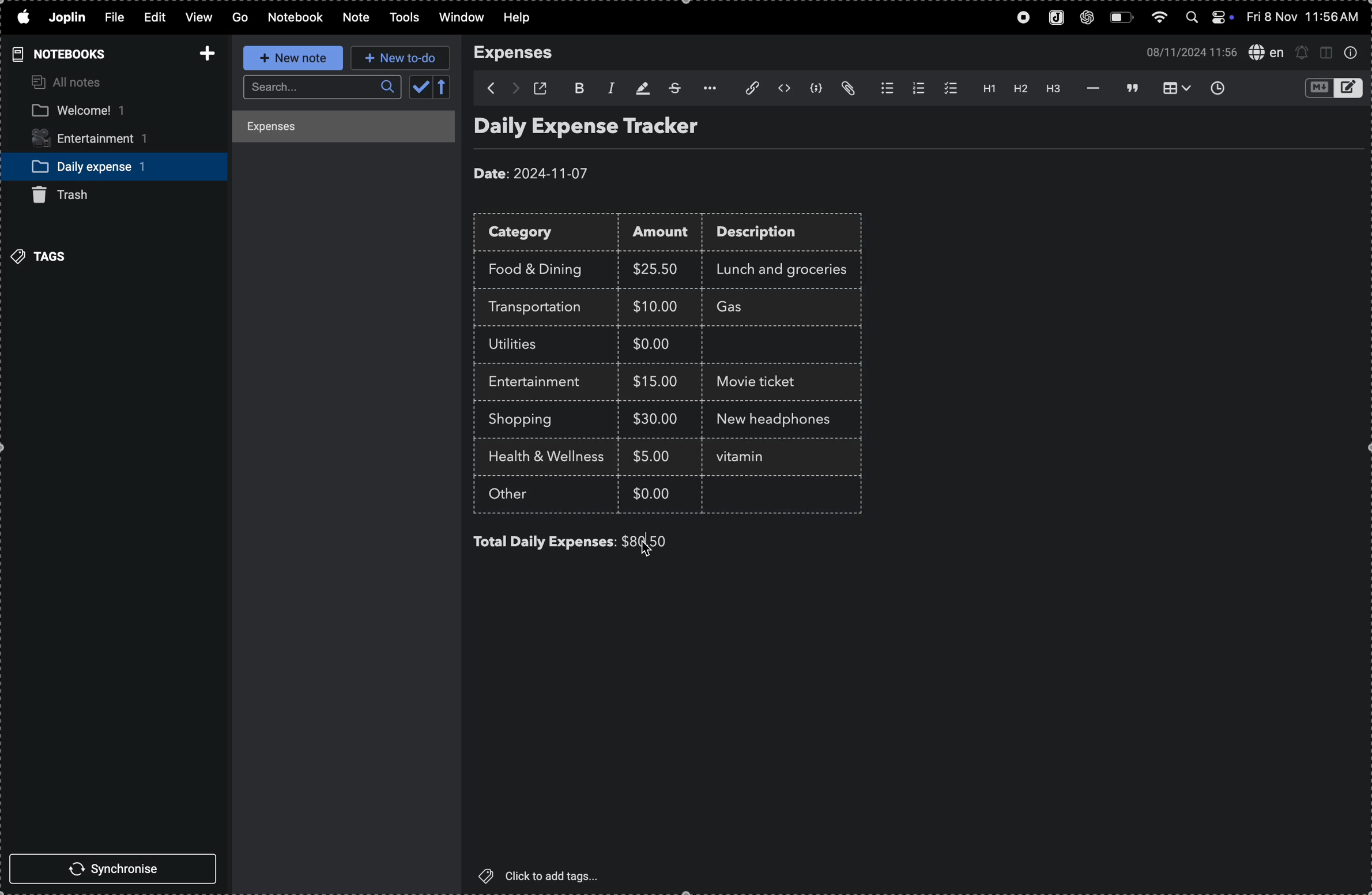 This screenshot has height=895, width=1372. What do you see at coordinates (101, 140) in the screenshot?
I see `entertainment` at bounding box center [101, 140].